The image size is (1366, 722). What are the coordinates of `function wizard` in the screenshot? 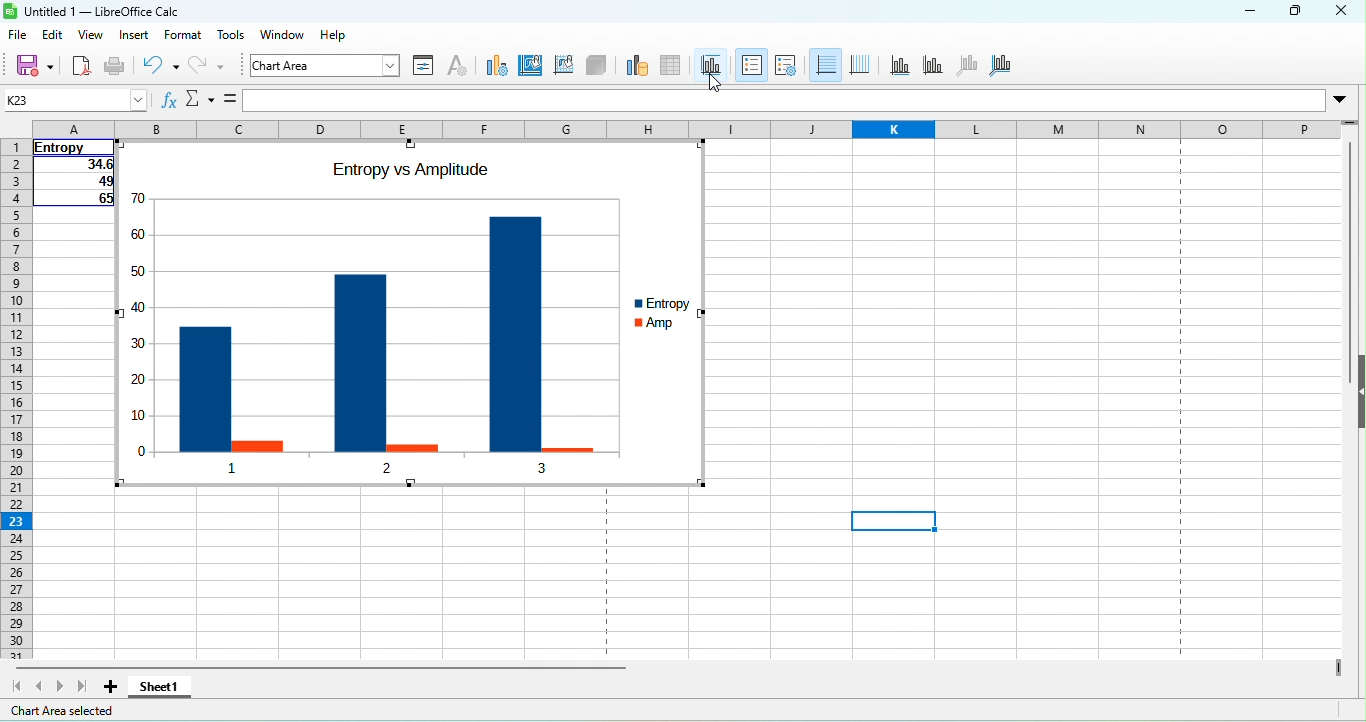 It's located at (169, 101).